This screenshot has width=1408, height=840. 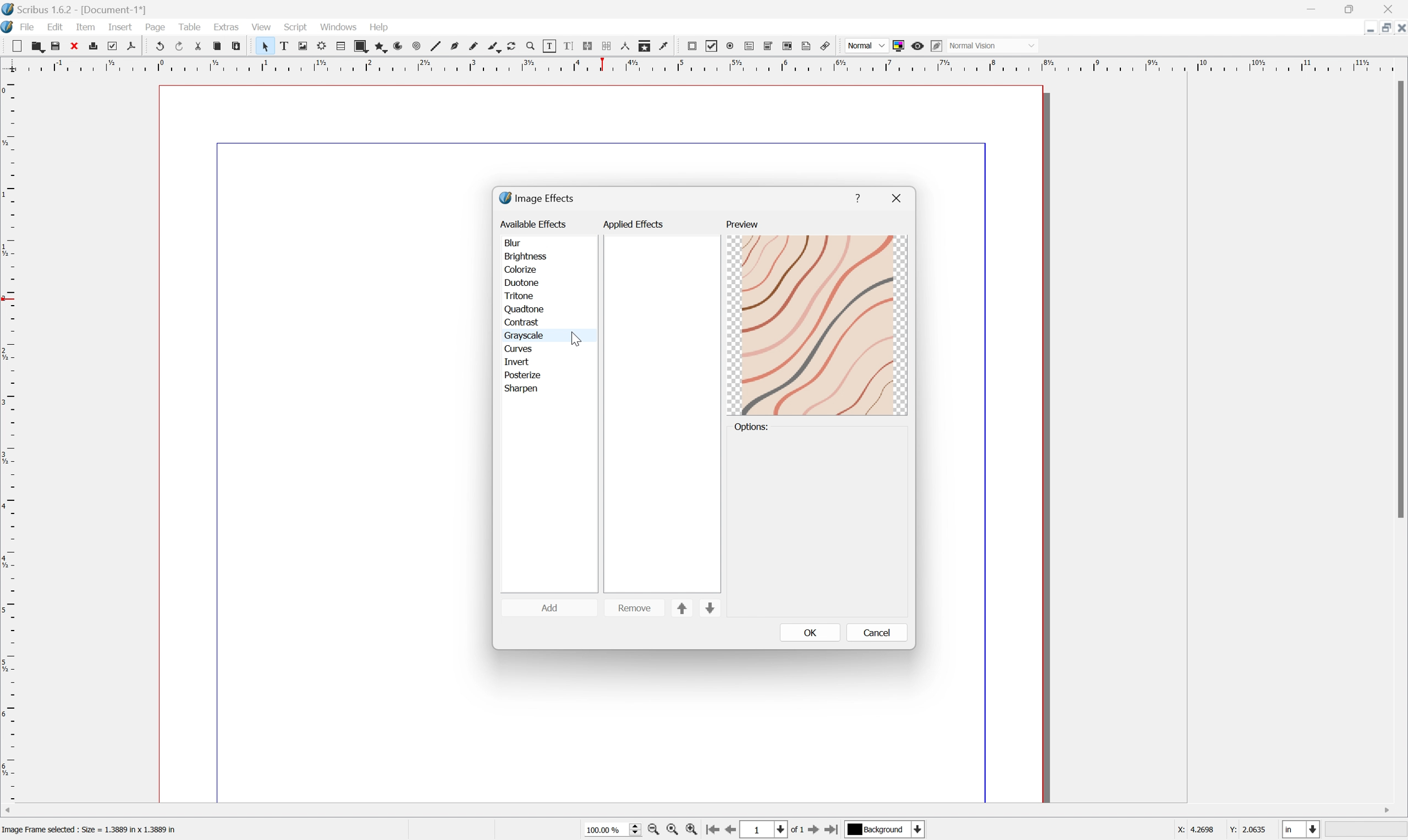 I want to click on Scroll right, so click(x=1385, y=808).